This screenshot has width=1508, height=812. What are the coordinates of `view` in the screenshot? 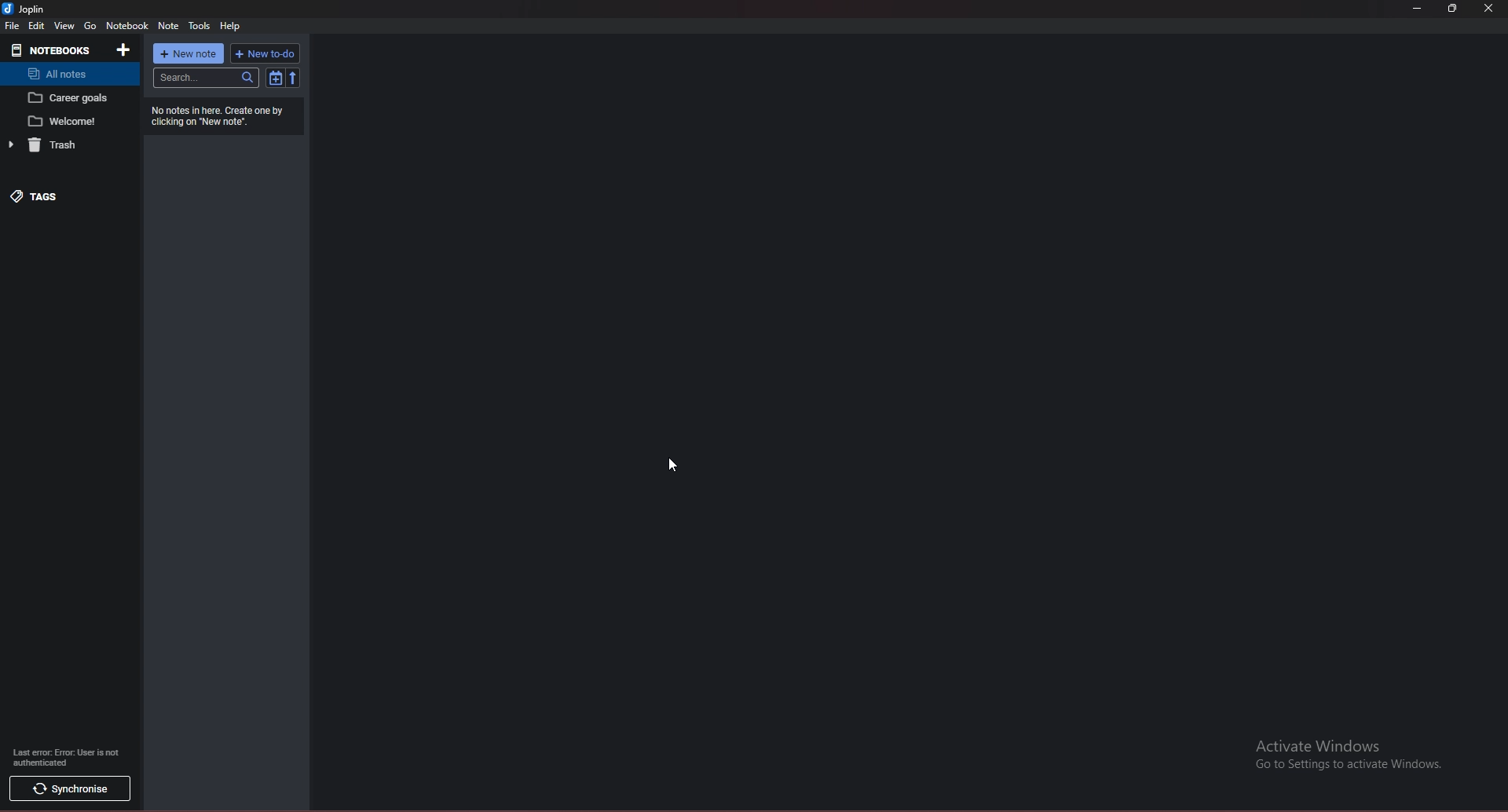 It's located at (64, 27).